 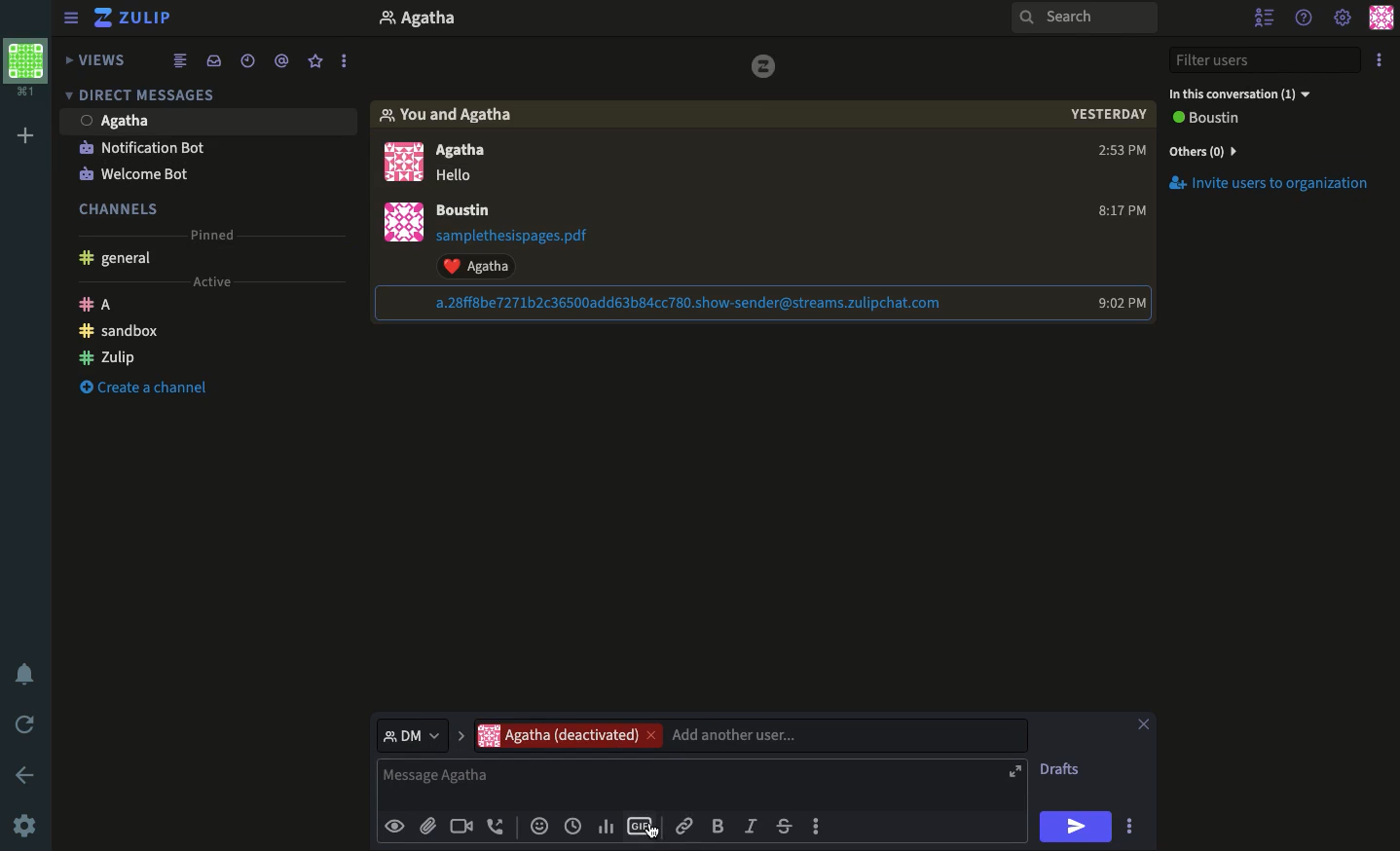 What do you see at coordinates (122, 120) in the screenshot?
I see `User` at bounding box center [122, 120].